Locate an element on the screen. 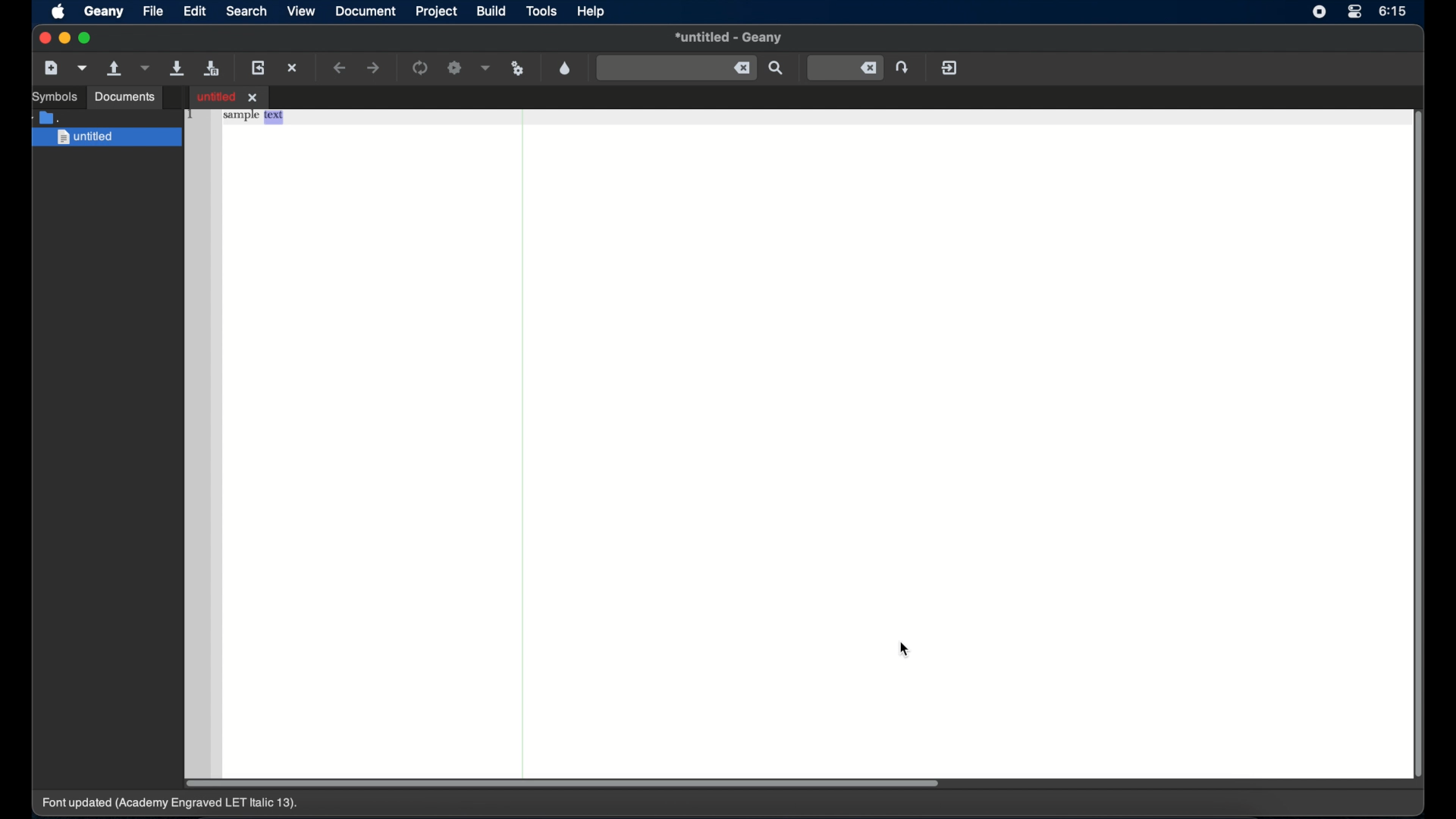 This screenshot has width=1456, height=819. untitled is located at coordinates (108, 138).